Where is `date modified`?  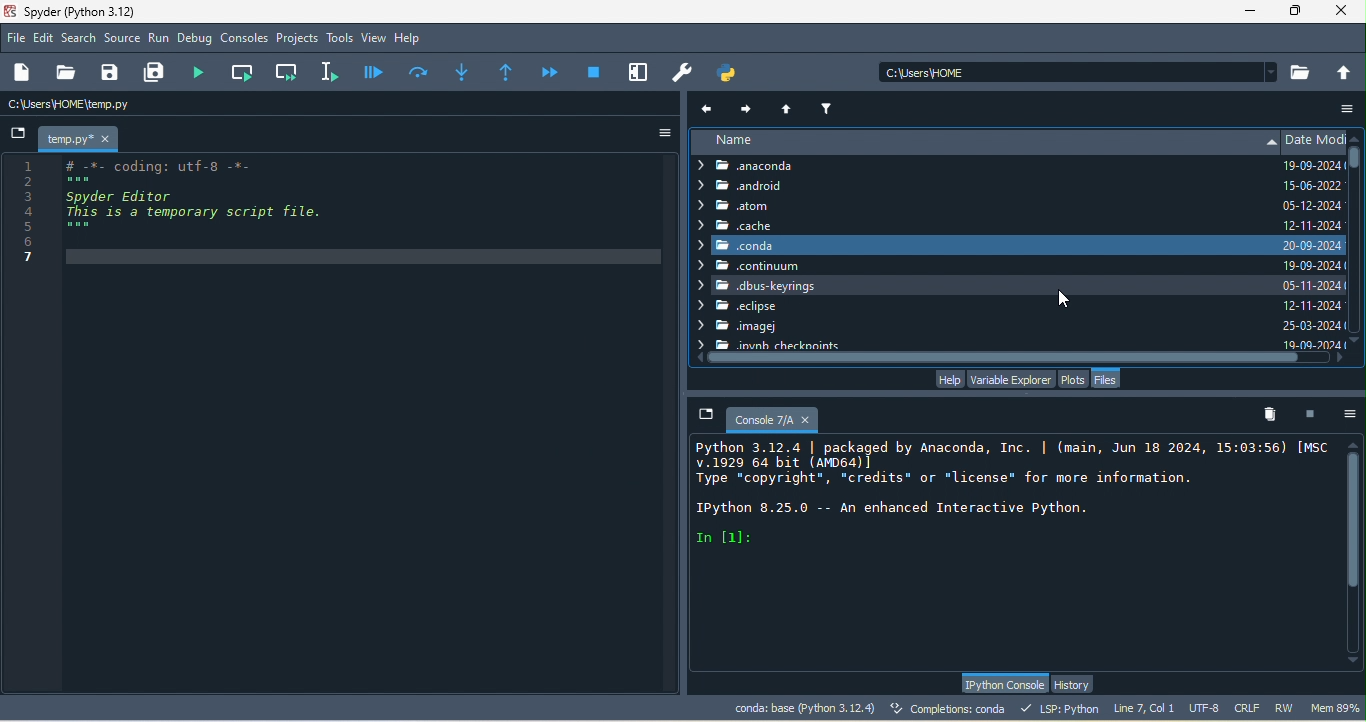
date modified is located at coordinates (1314, 240).